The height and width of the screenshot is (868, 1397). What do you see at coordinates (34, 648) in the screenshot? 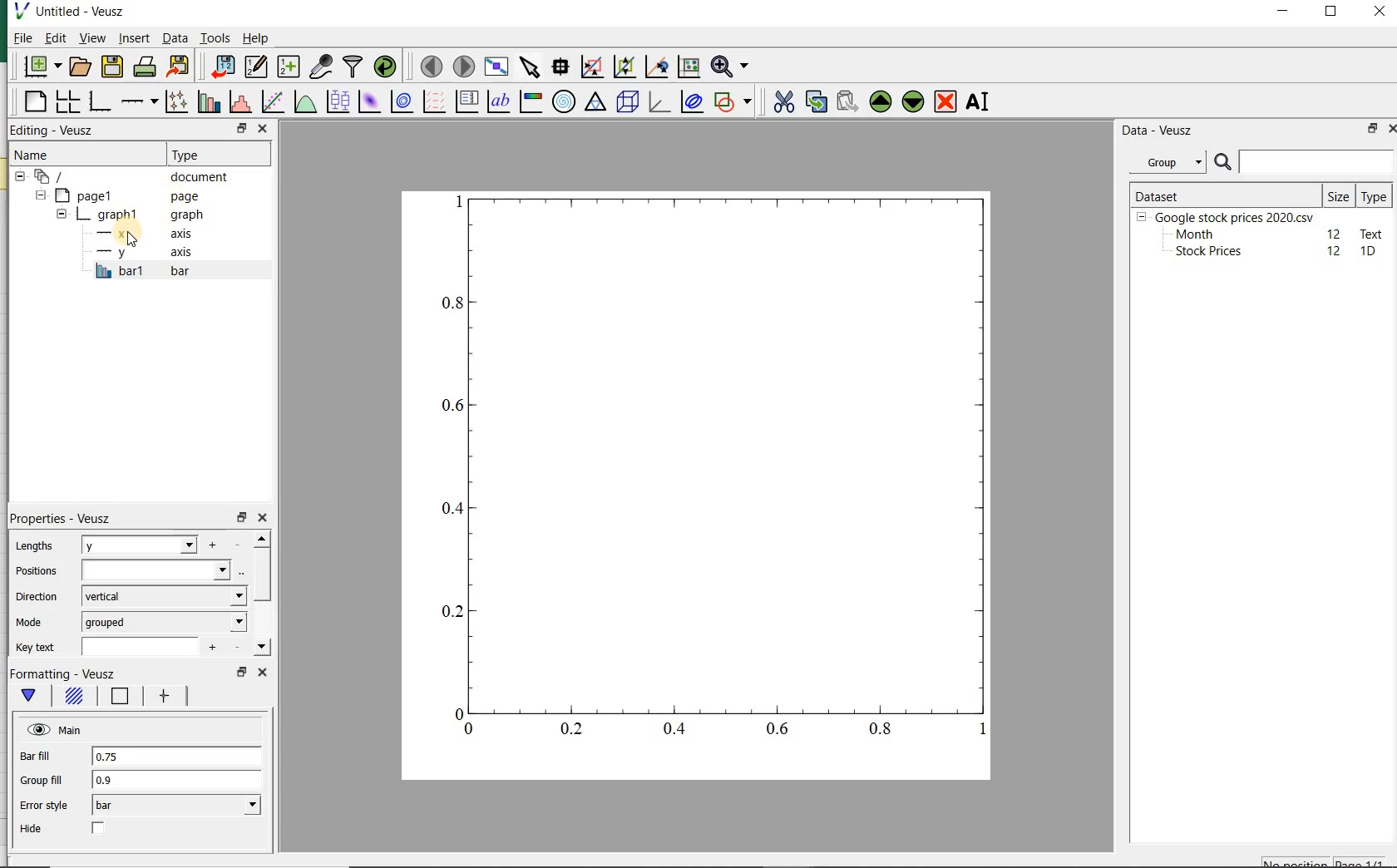
I see `key text` at bounding box center [34, 648].